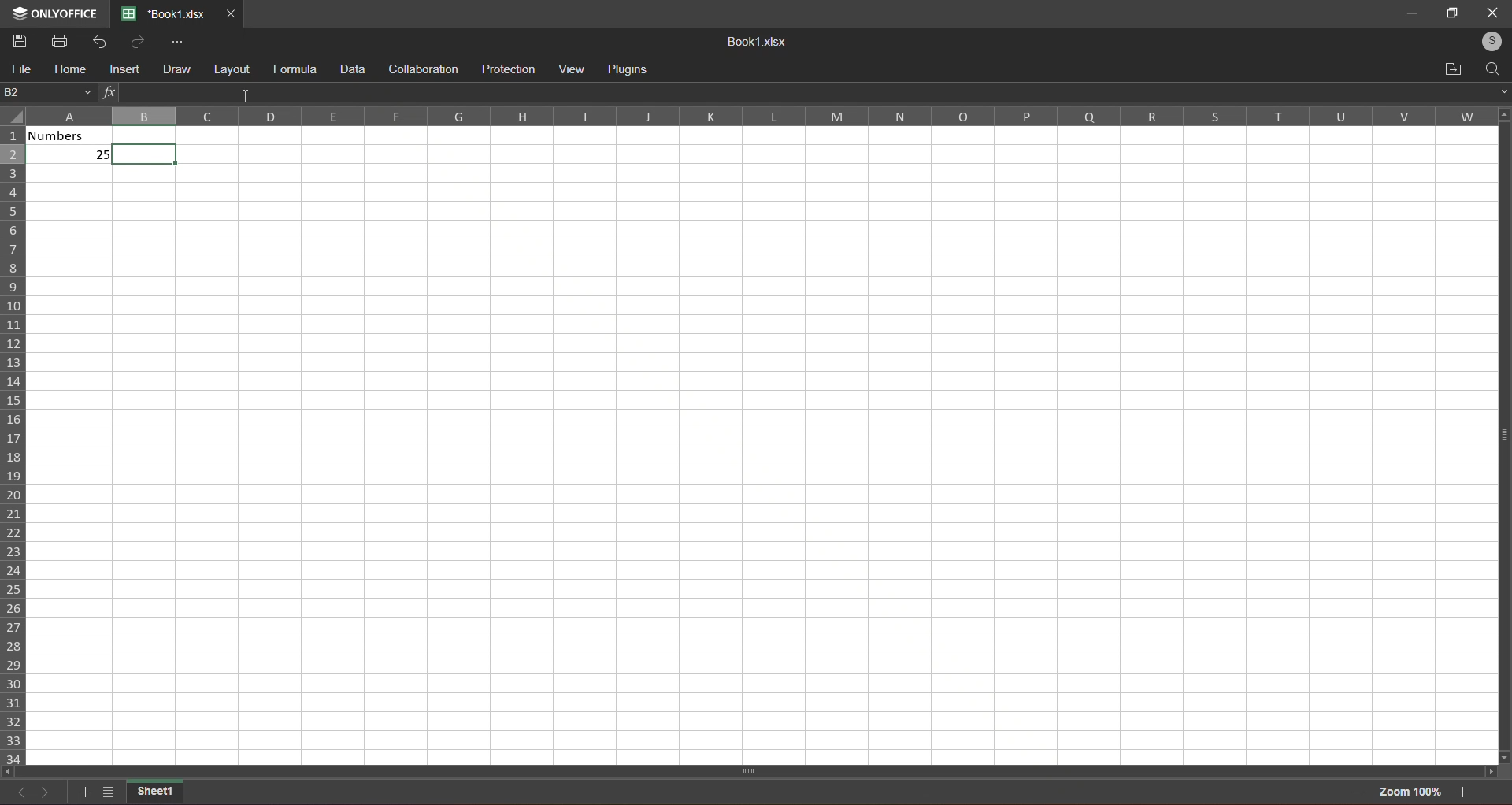 Image resolution: width=1512 pixels, height=805 pixels. I want to click on insert, so click(120, 70).